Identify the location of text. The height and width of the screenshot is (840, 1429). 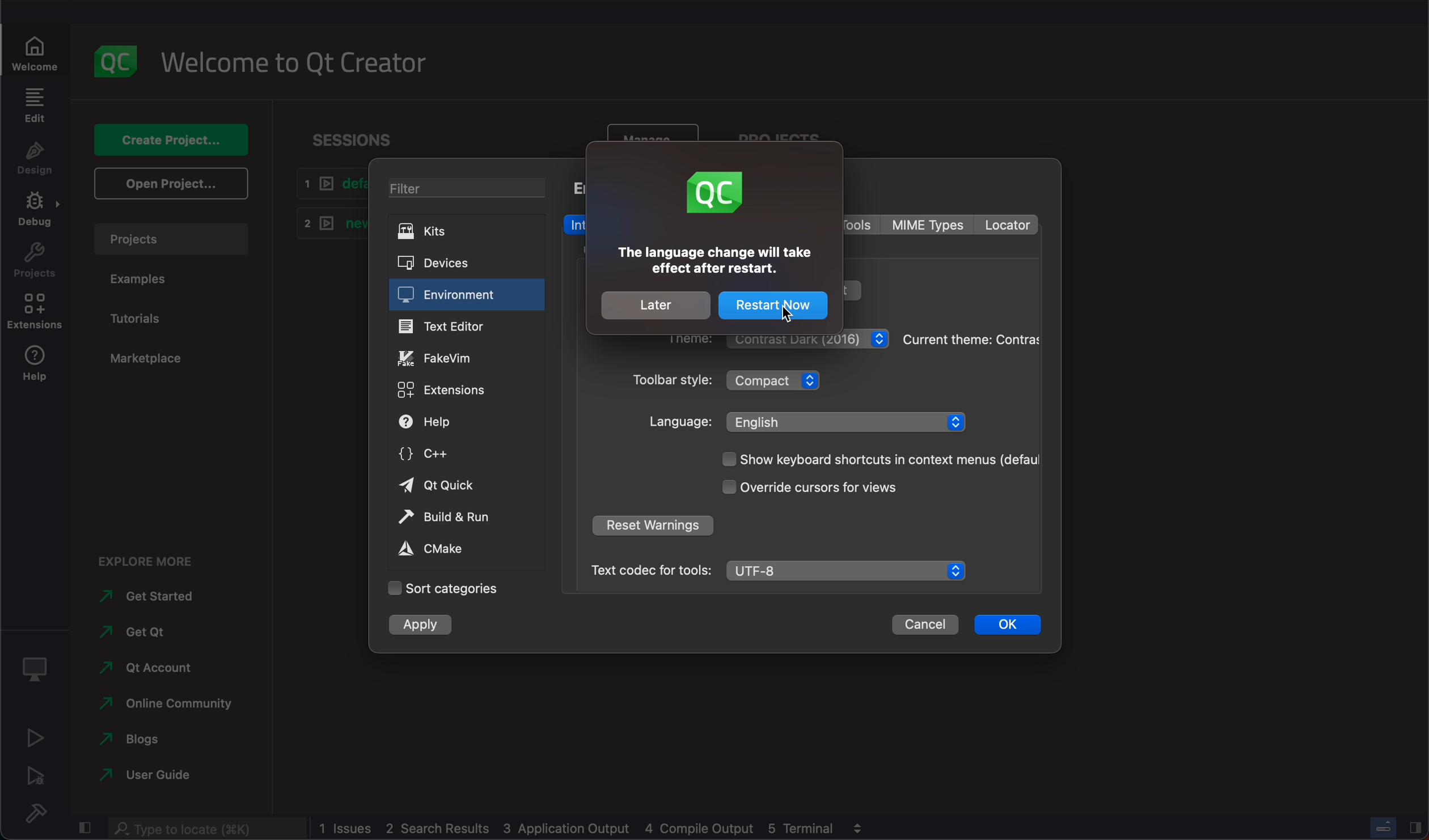
(713, 261).